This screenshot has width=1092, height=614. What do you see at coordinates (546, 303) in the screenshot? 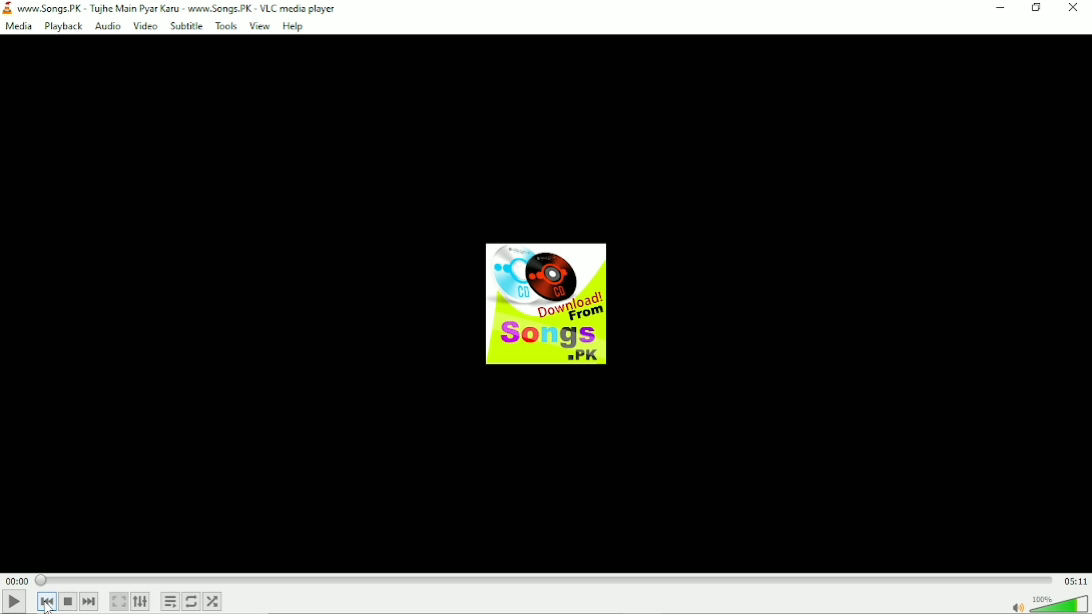
I see `Audio track` at bounding box center [546, 303].